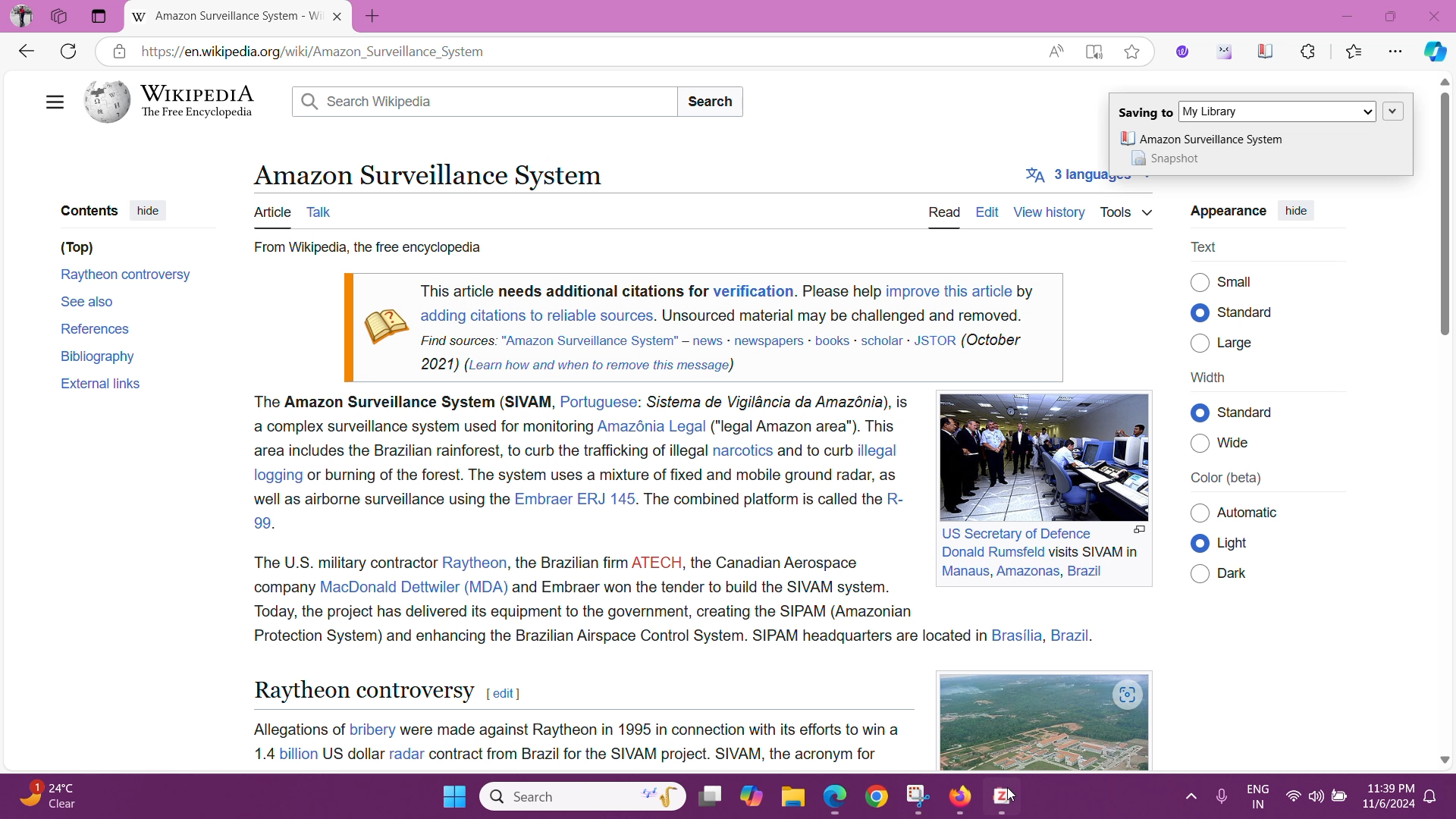 Image resolution: width=1456 pixels, height=819 pixels. Describe the element at coordinates (114, 209) in the screenshot. I see `Contents hide` at that location.